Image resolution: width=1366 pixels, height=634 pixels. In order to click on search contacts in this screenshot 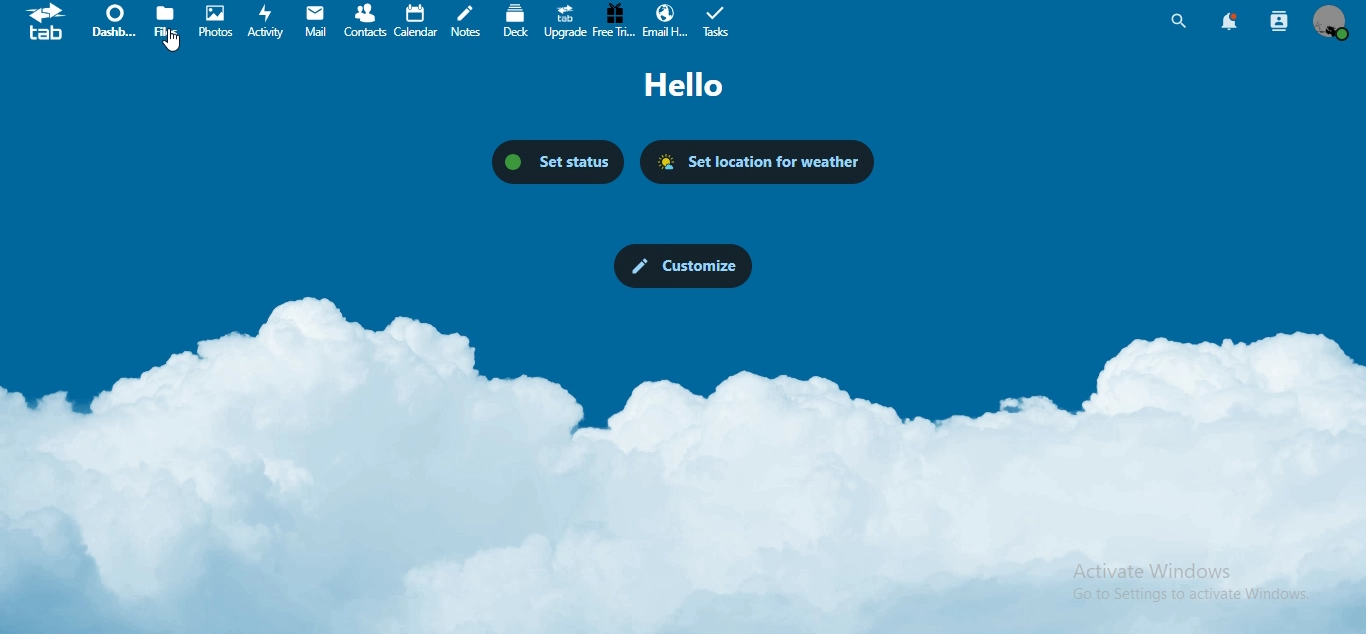, I will do `click(1278, 23)`.